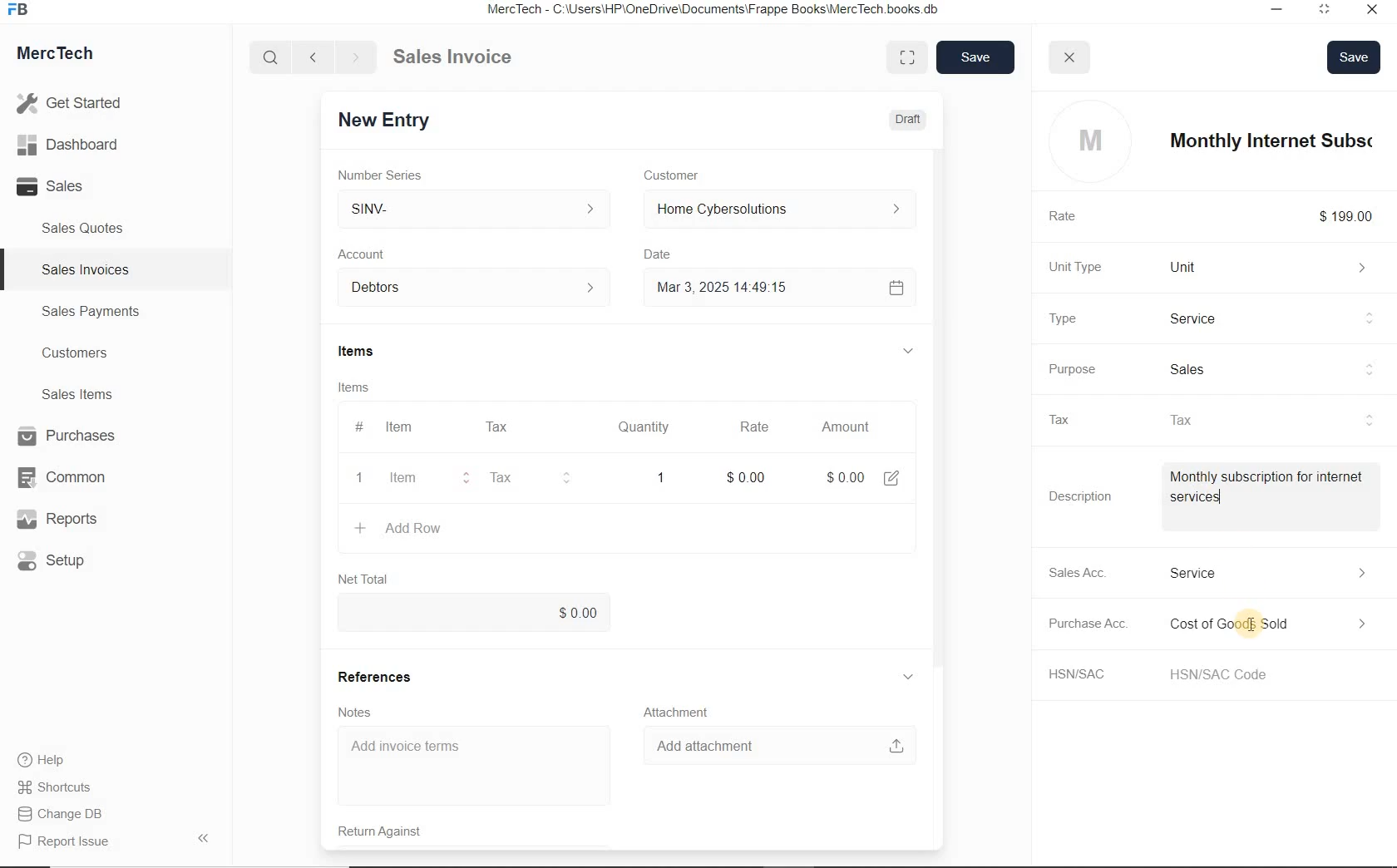 Image resolution: width=1397 pixels, height=868 pixels. What do you see at coordinates (753, 427) in the screenshot?
I see `Rate` at bounding box center [753, 427].